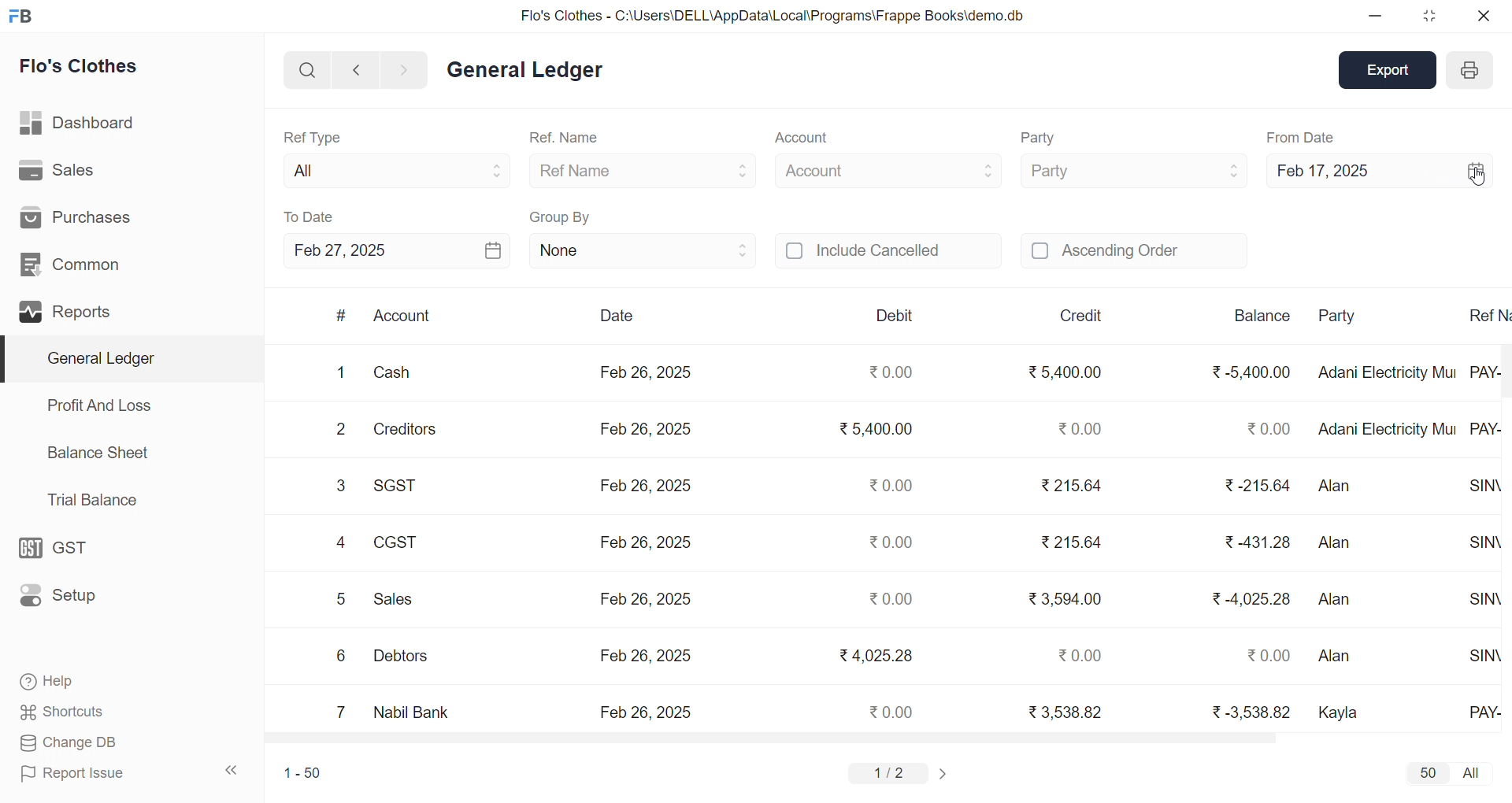  What do you see at coordinates (403, 317) in the screenshot?
I see `Account` at bounding box center [403, 317].